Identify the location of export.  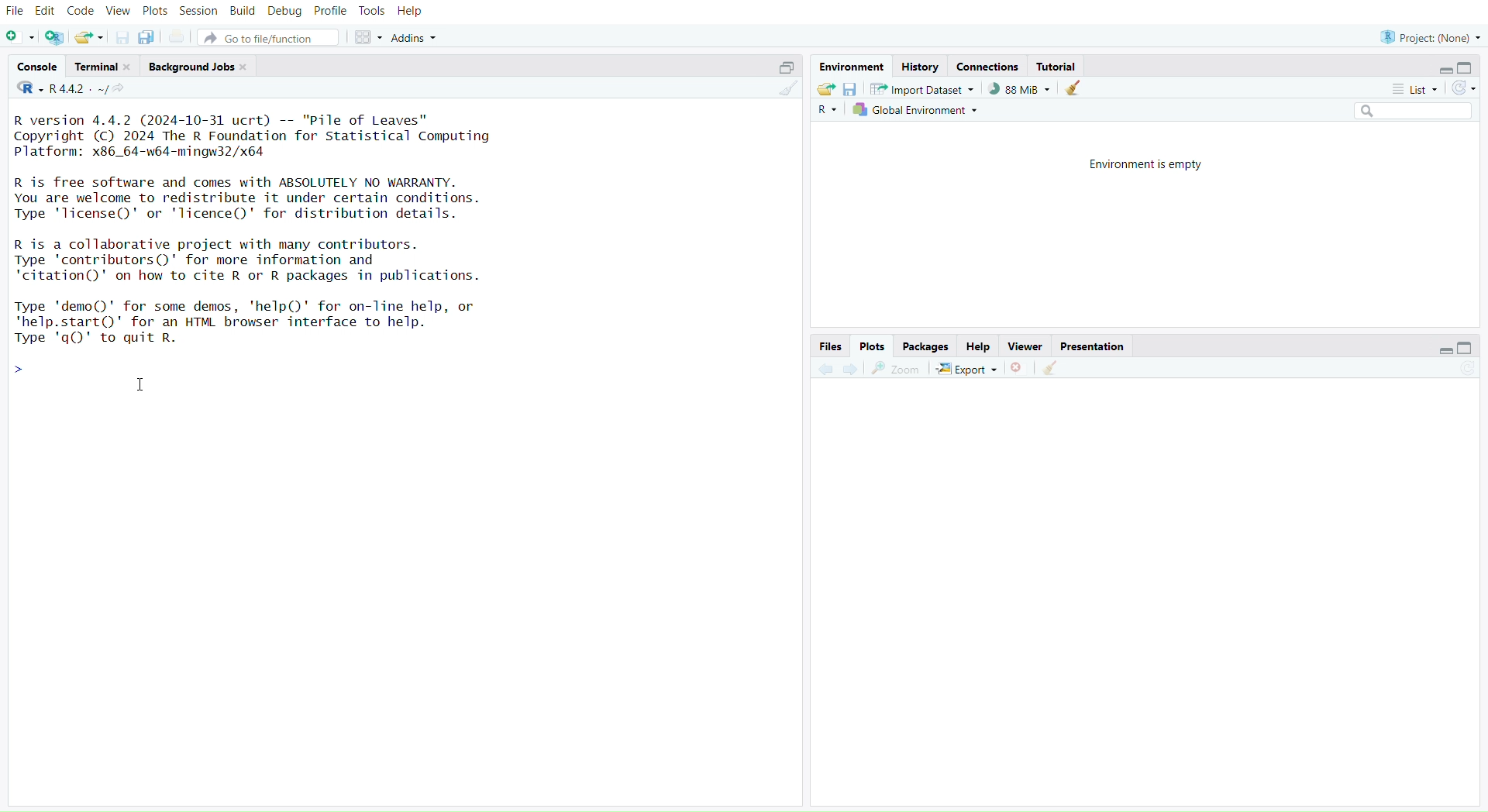
(966, 370).